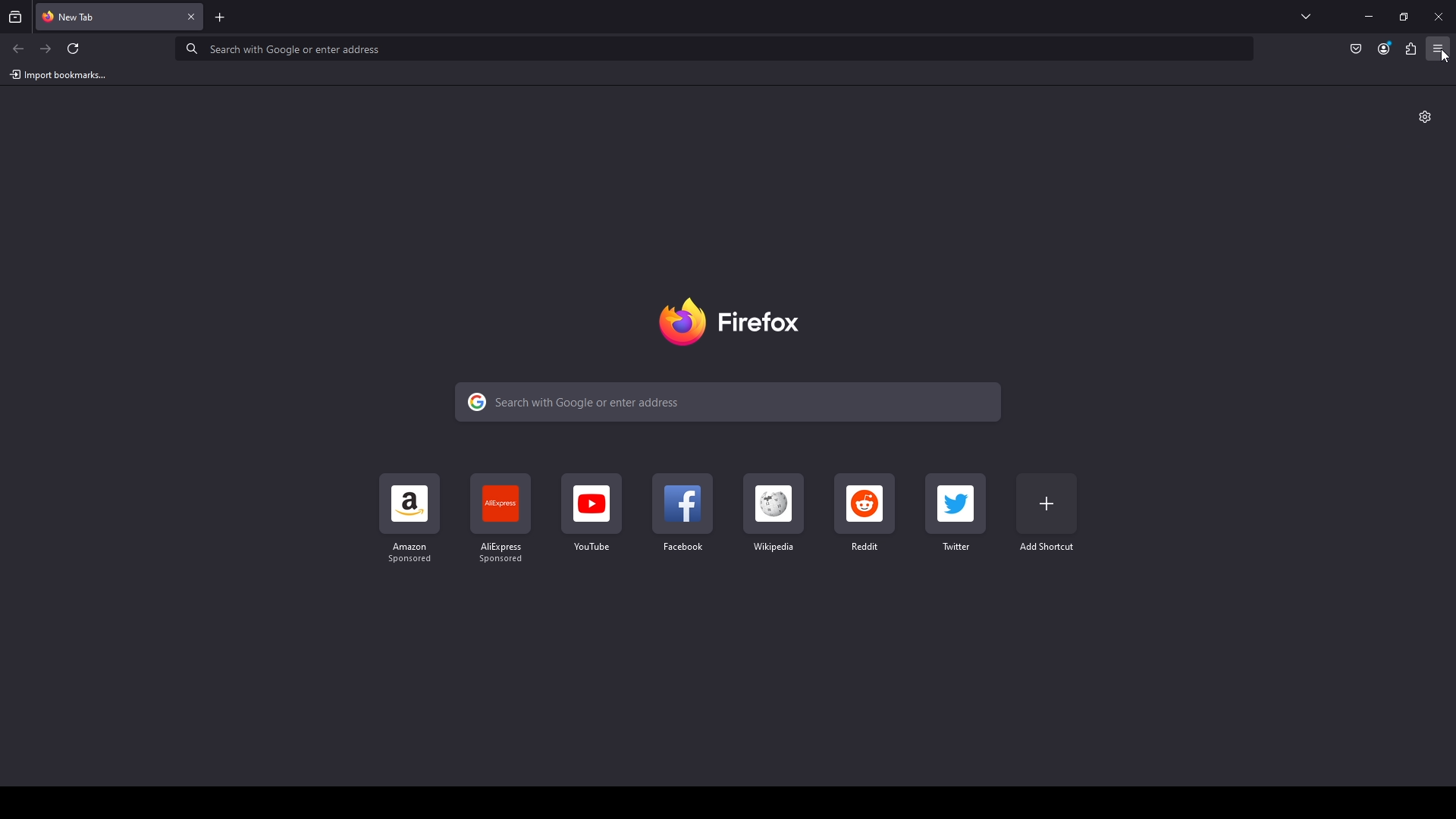 Image resolution: width=1456 pixels, height=819 pixels. I want to click on Forward, so click(46, 48).